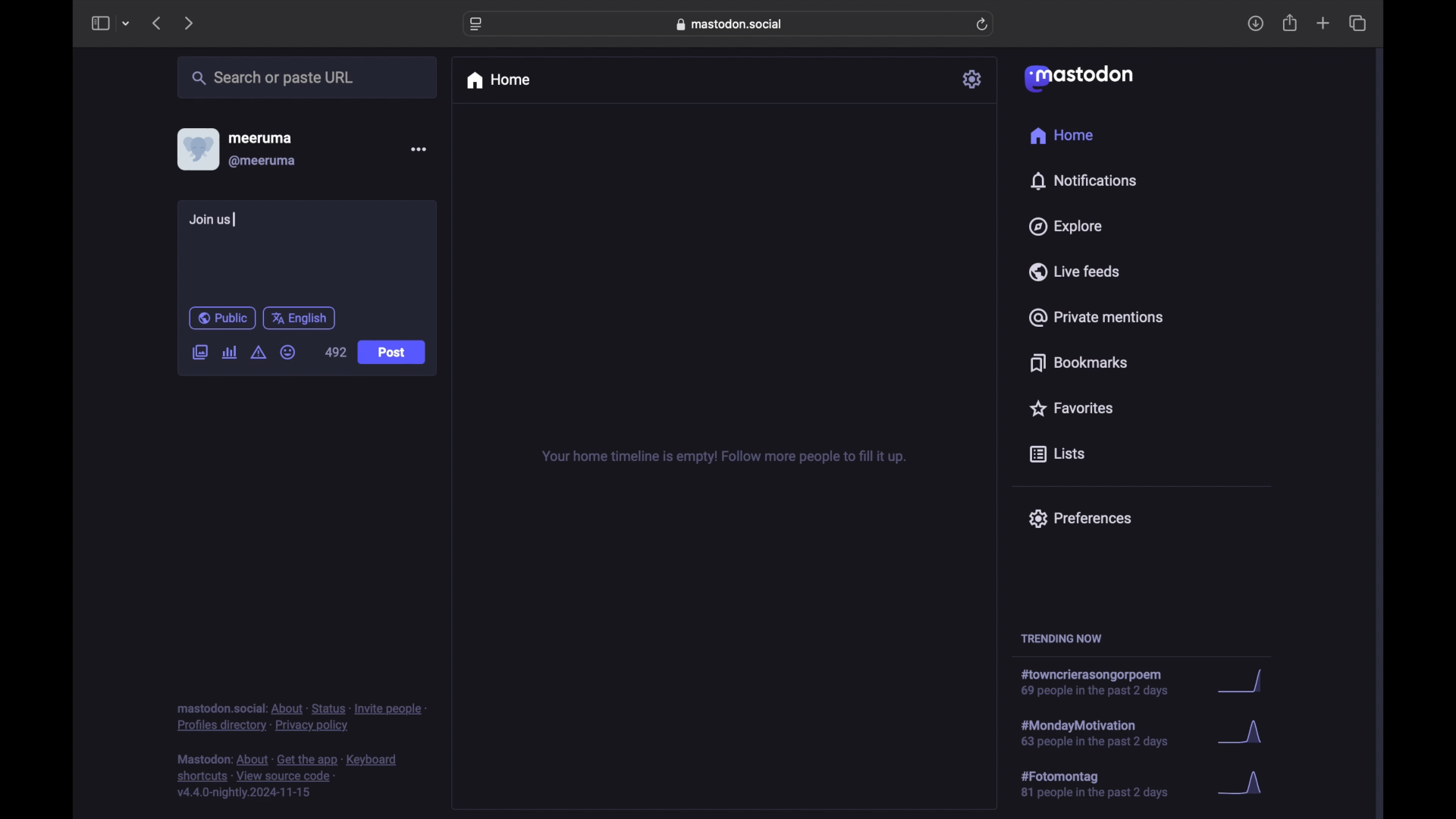  What do you see at coordinates (1078, 362) in the screenshot?
I see `bookmarks` at bounding box center [1078, 362].